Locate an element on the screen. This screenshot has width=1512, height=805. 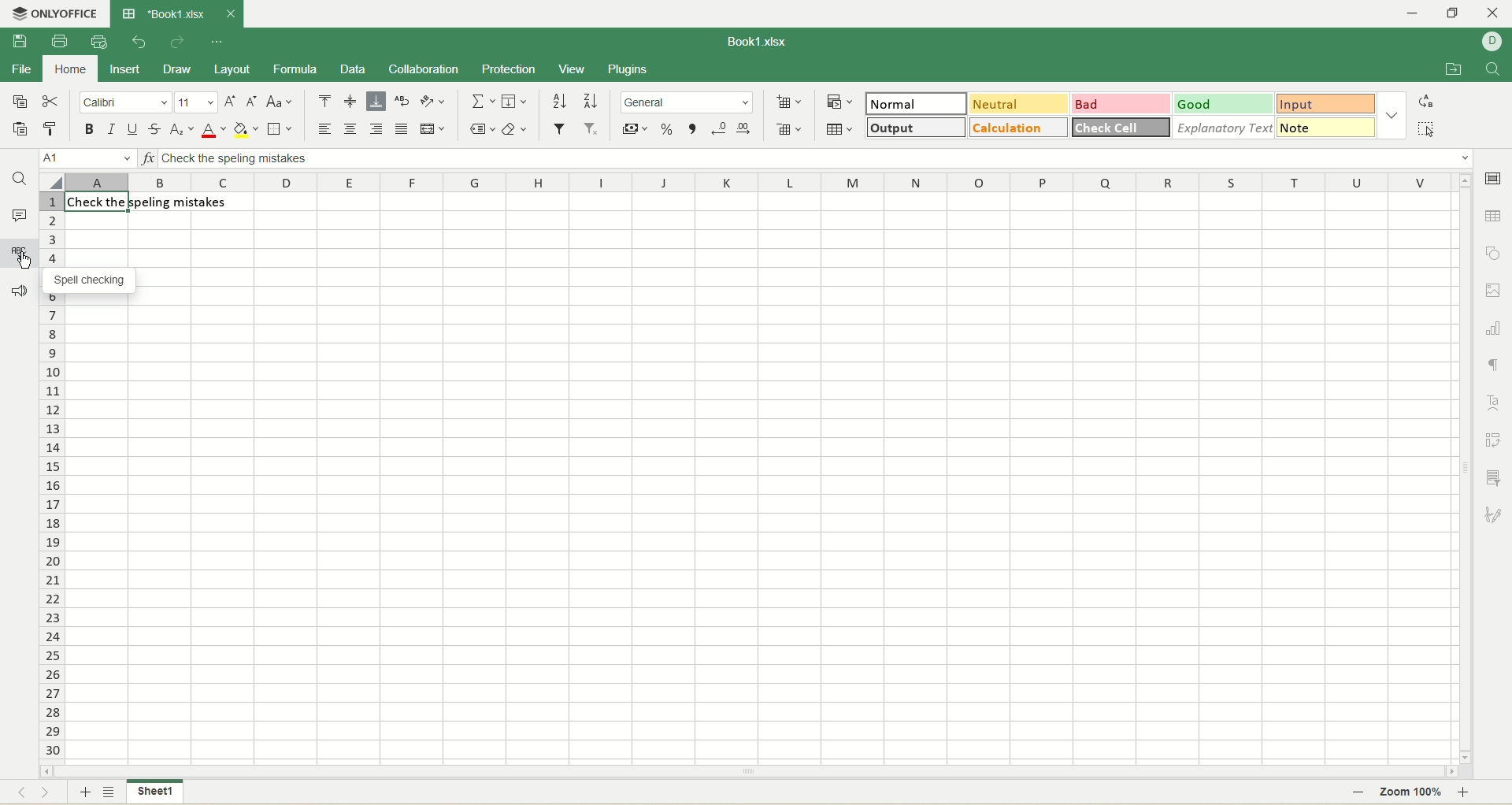
check the spelling mistakes is located at coordinates (154, 205).